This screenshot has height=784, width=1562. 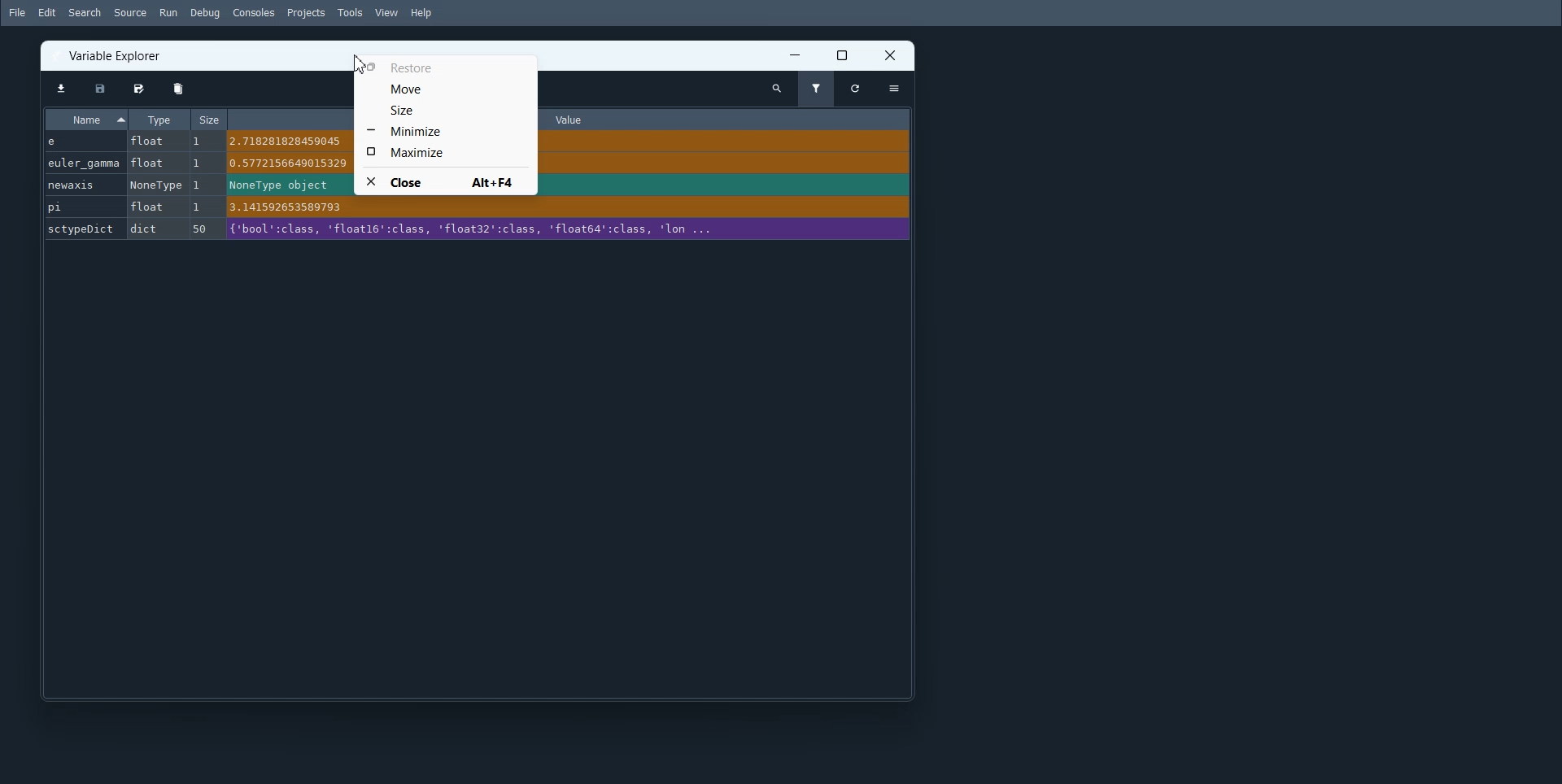 I want to click on euler_gamma, so click(x=83, y=162).